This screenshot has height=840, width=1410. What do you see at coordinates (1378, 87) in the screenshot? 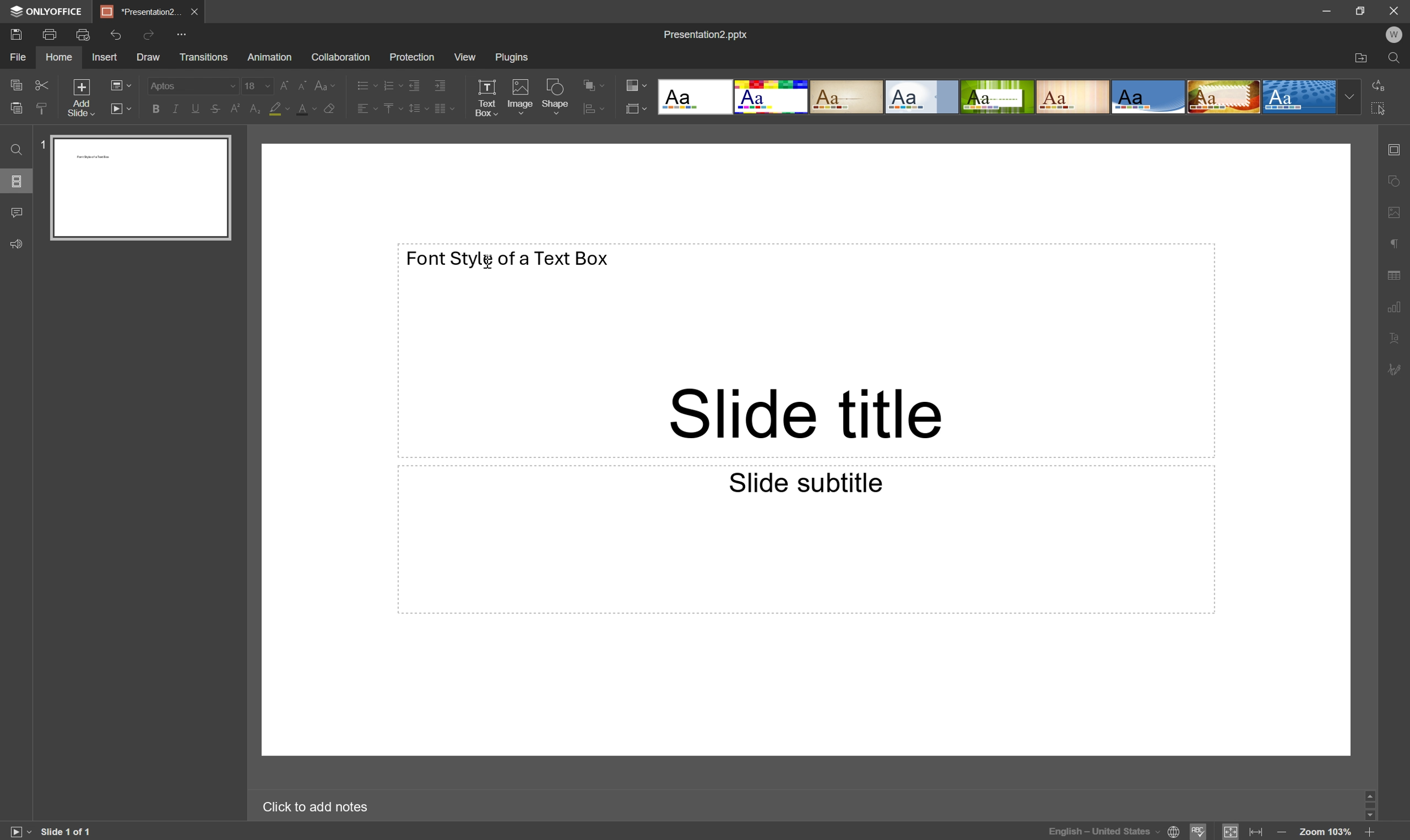
I see `Replace` at bounding box center [1378, 87].